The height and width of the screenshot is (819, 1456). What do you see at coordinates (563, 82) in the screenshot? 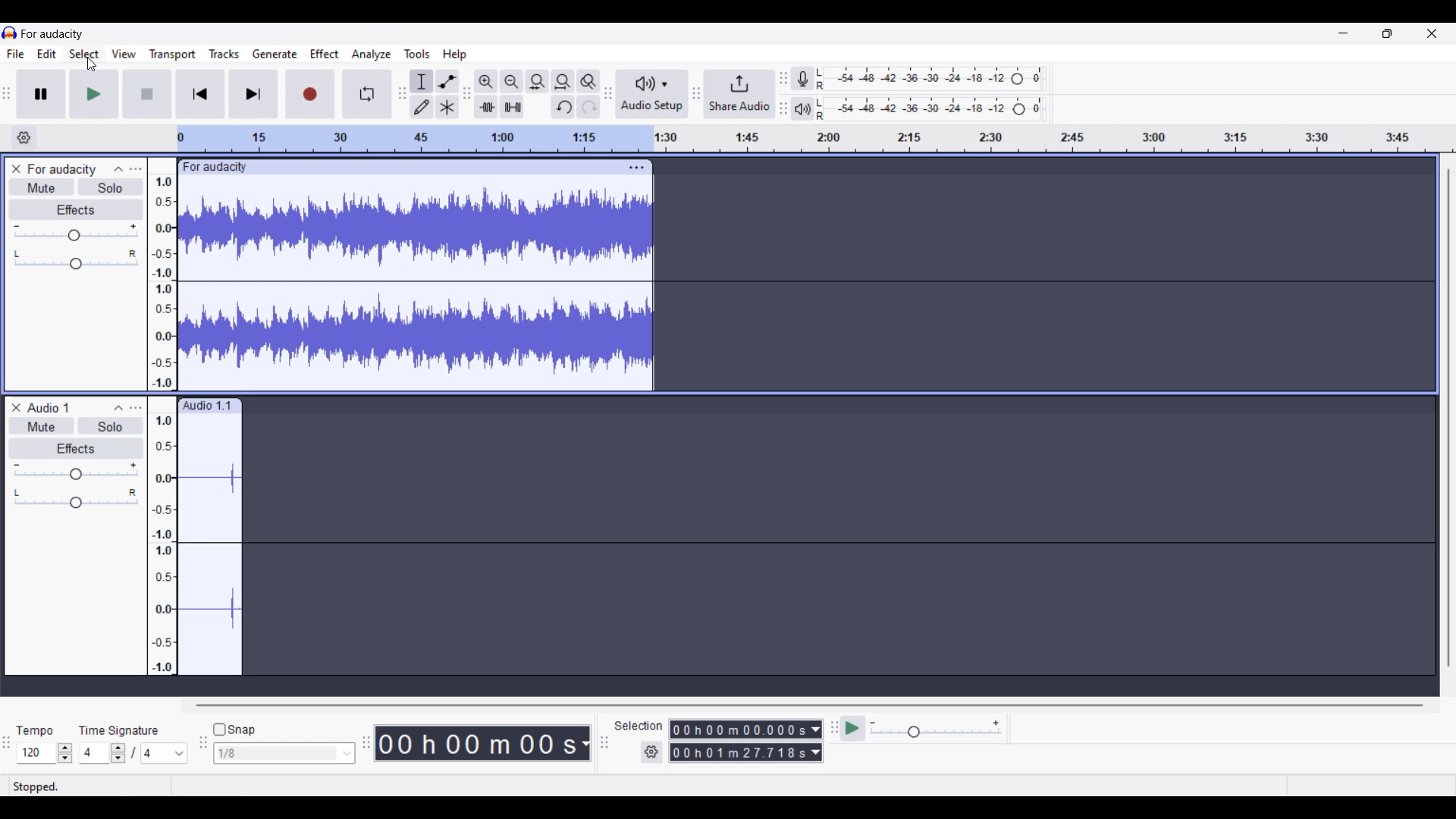
I see `Fit project to width` at bounding box center [563, 82].